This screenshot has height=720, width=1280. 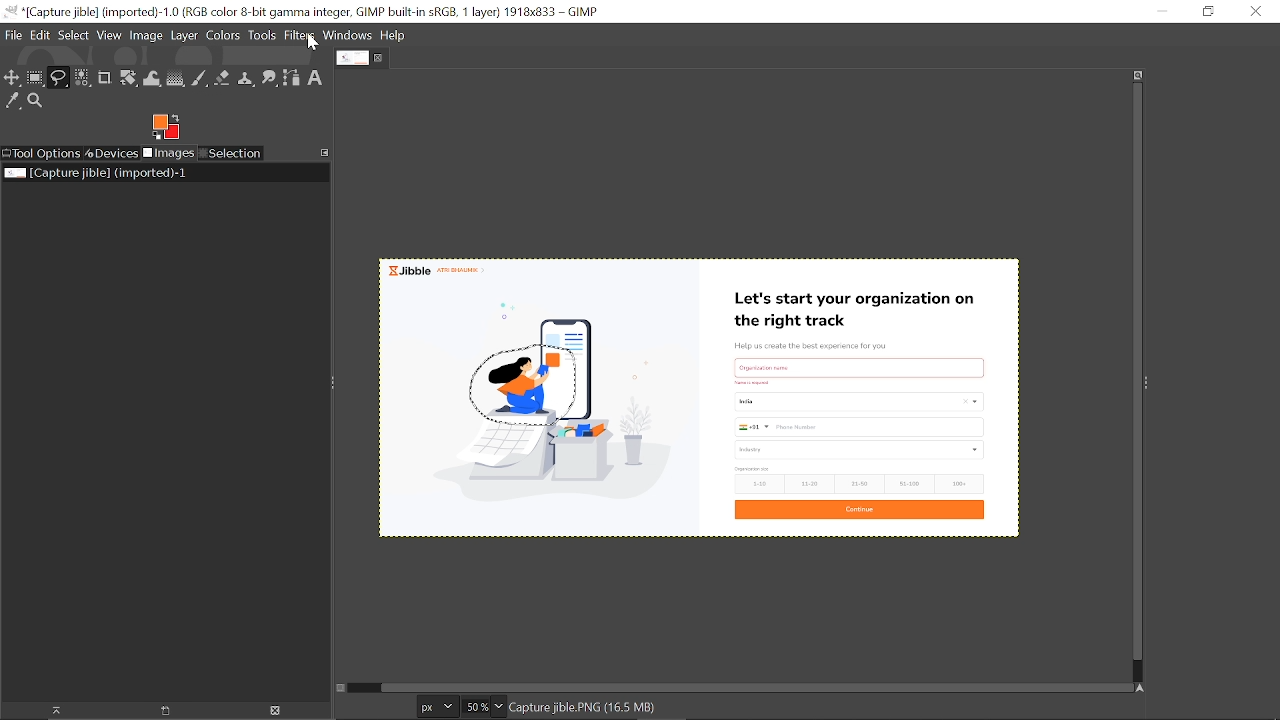 I want to click on Text tool, so click(x=316, y=78).